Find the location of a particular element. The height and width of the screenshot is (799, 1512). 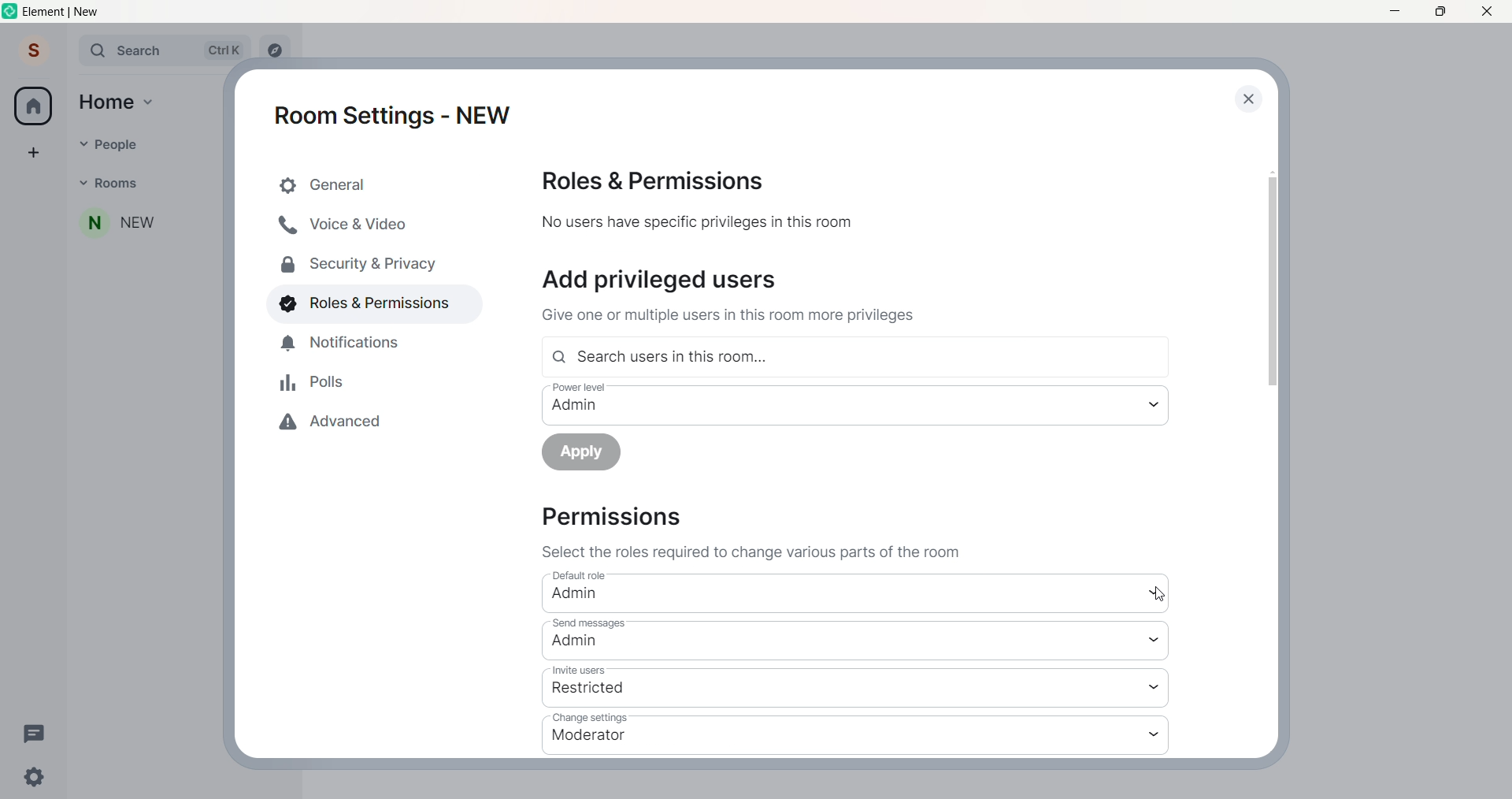

people is located at coordinates (106, 144).